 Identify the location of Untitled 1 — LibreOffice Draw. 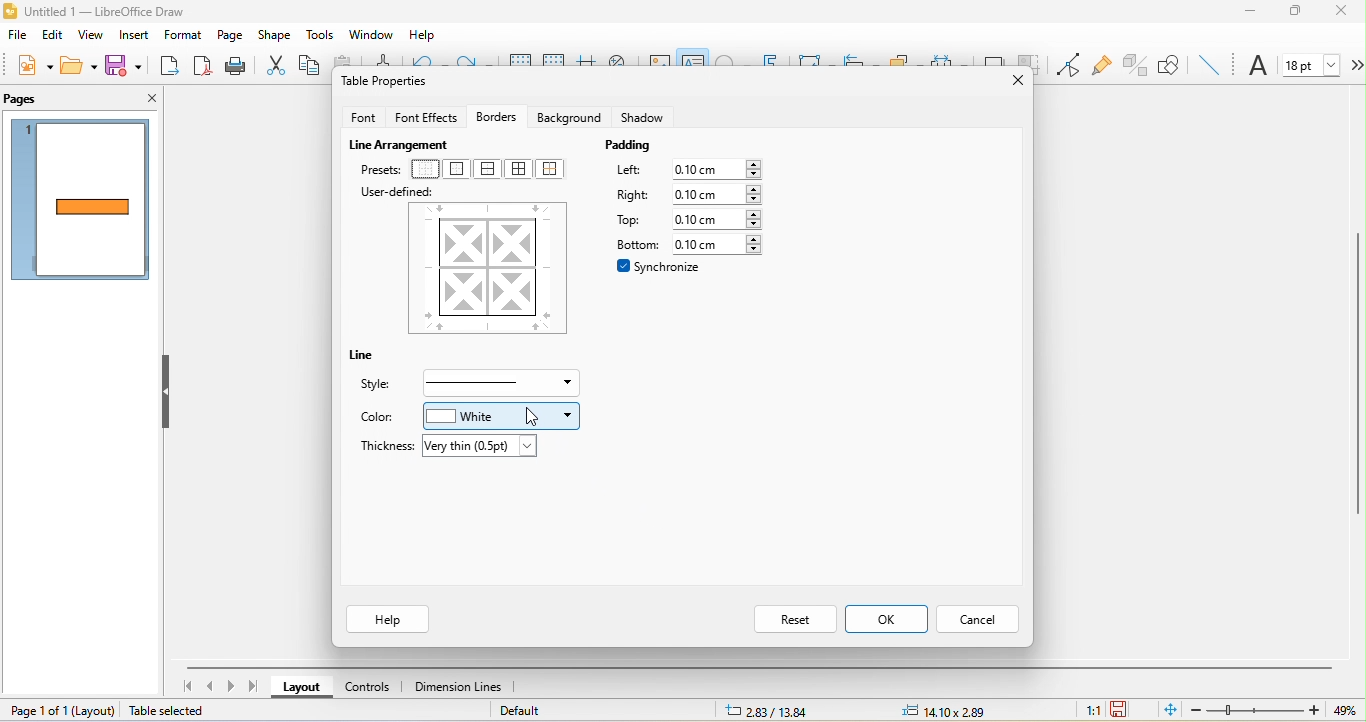
(94, 10).